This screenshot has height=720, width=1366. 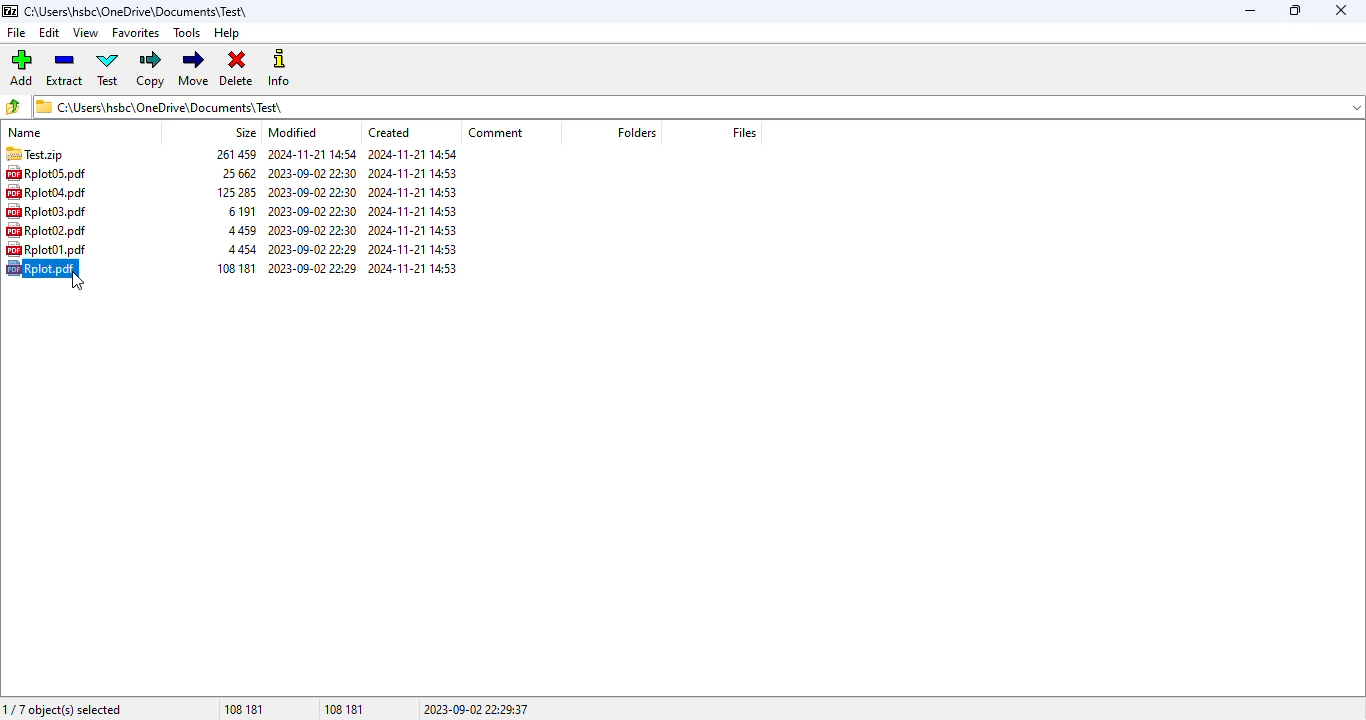 I want to click on comment, so click(x=494, y=133).